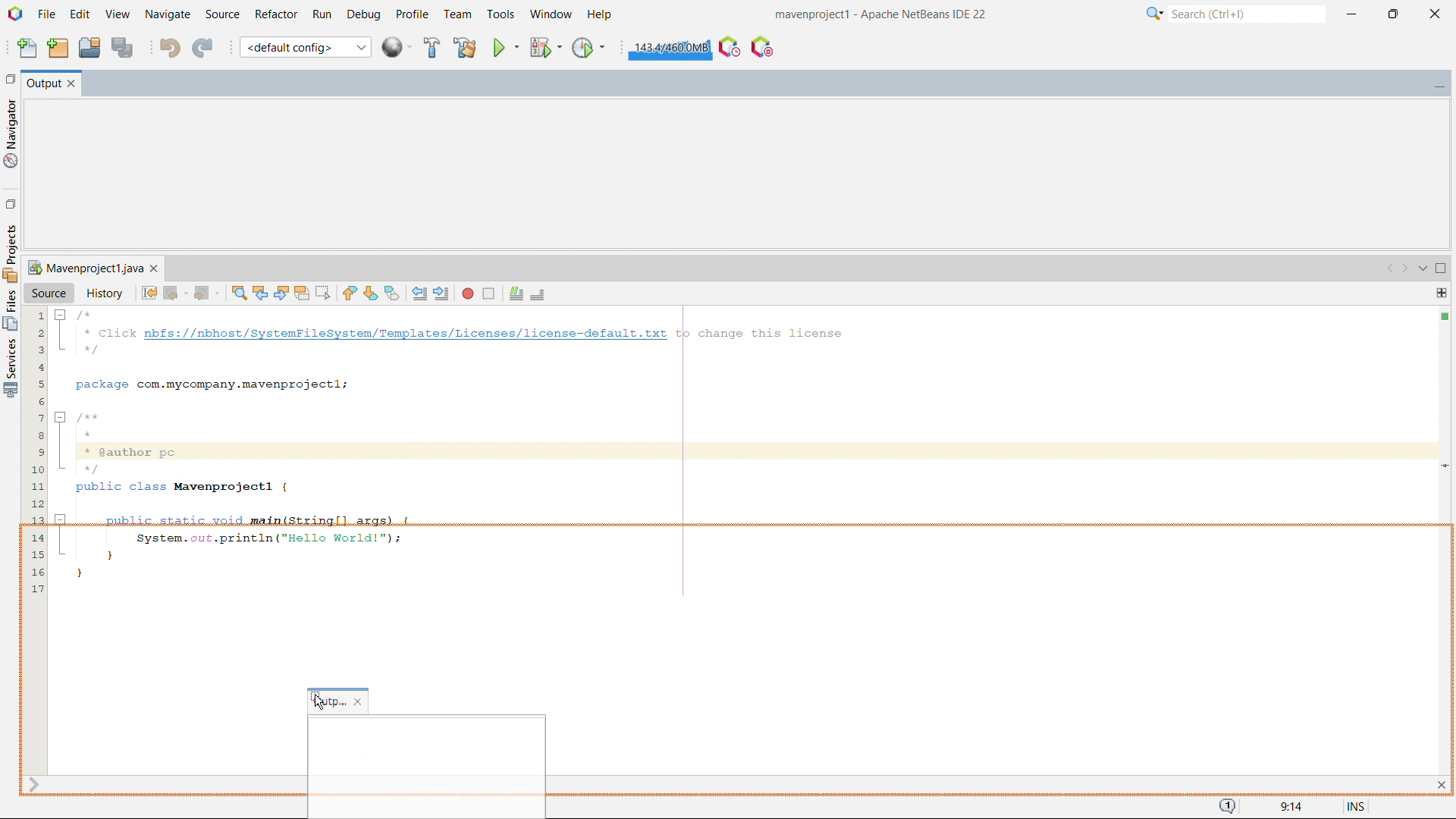  What do you see at coordinates (118, 14) in the screenshot?
I see `view` at bounding box center [118, 14].